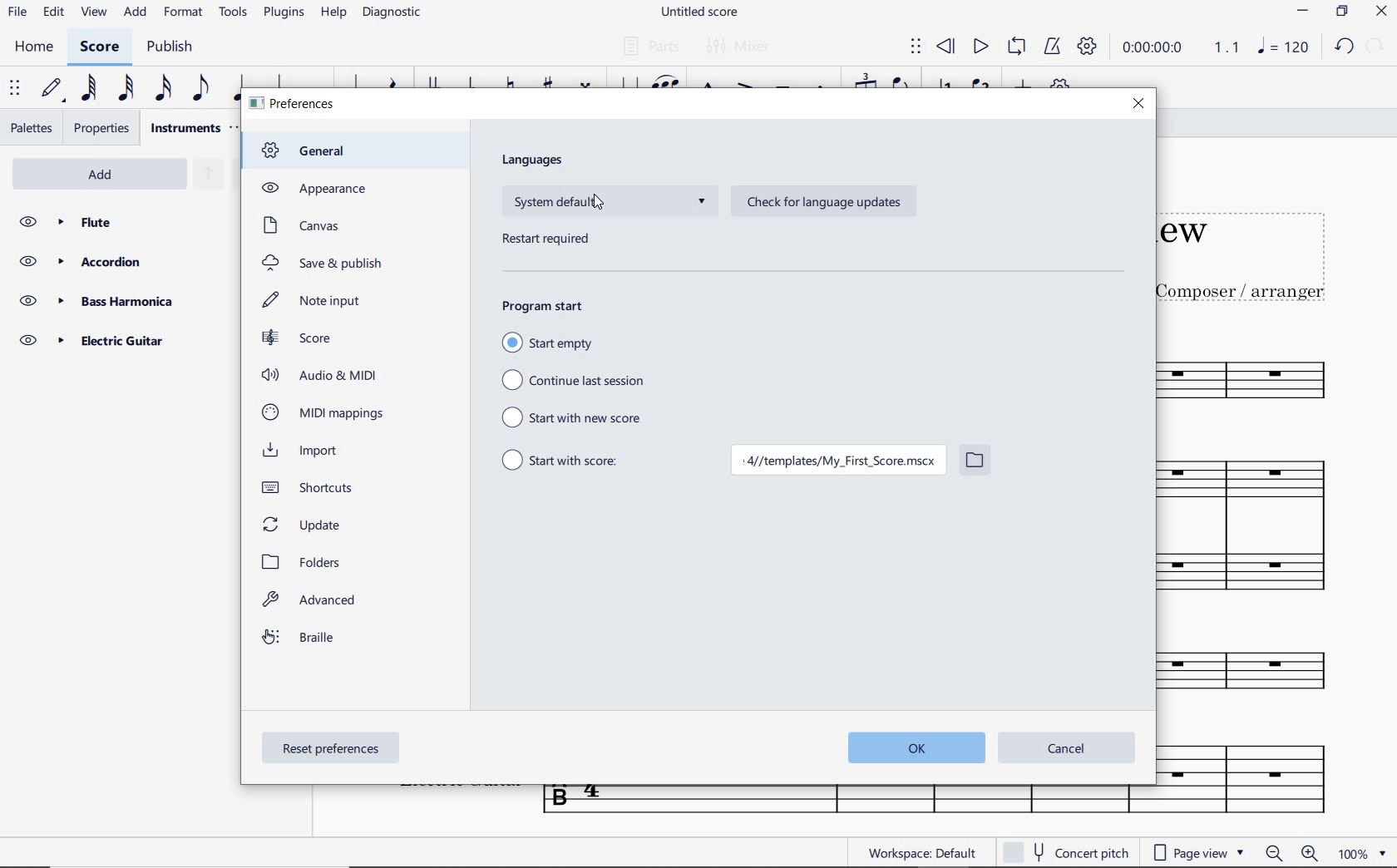 The width and height of the screenshot is (1397, 868). Describe the element at coordinates (133, 13) in the screenshot. I see `add` at that location.